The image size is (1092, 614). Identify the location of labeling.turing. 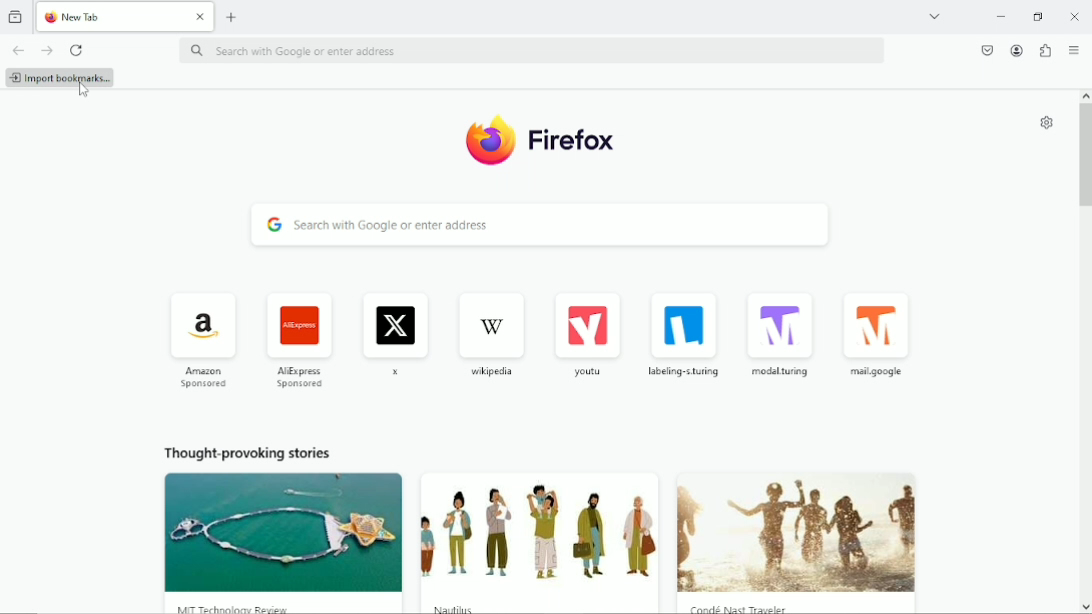
(685, 334).